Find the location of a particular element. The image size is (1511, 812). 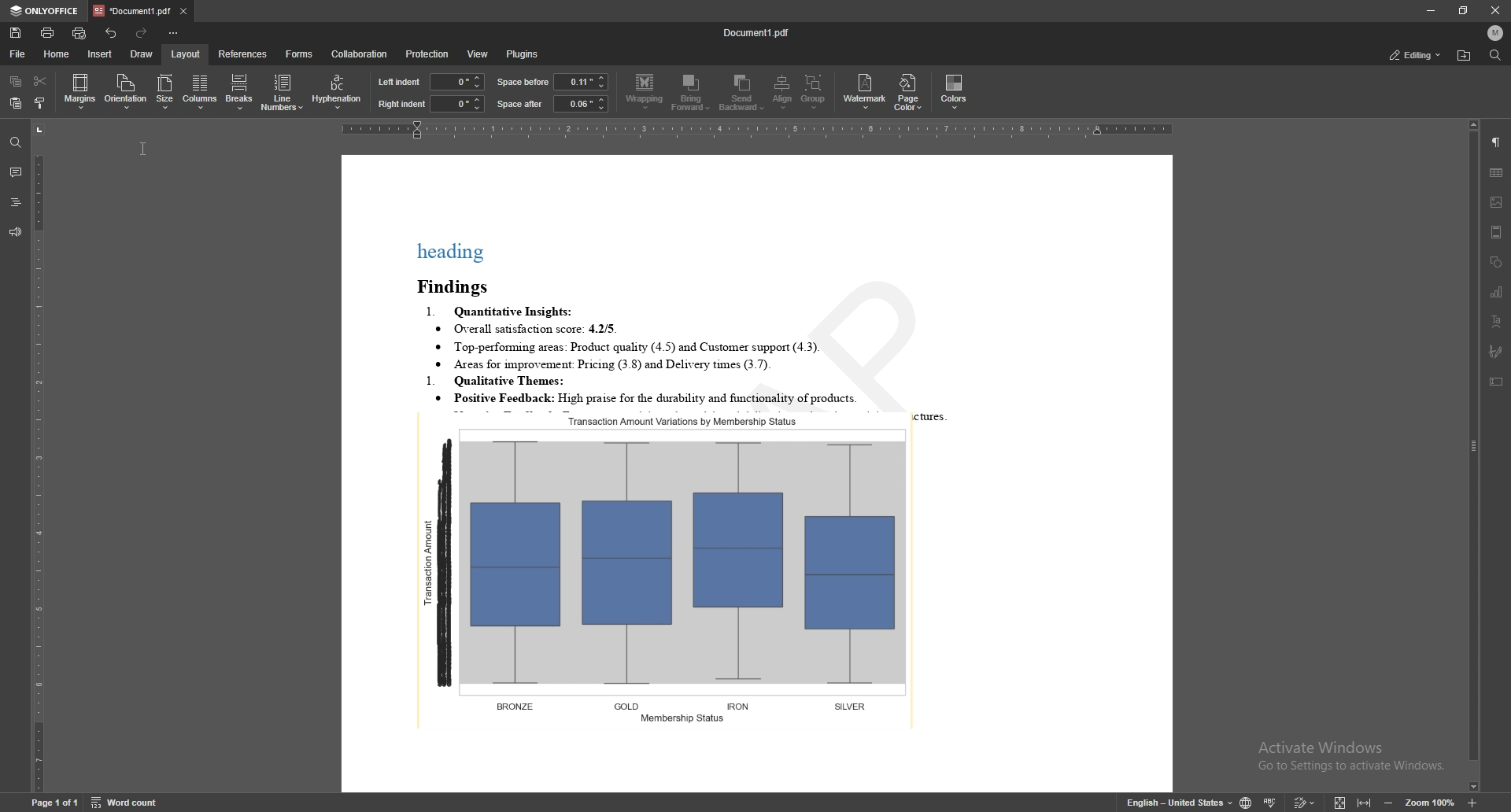

space after is located at coordinates (520, 104).